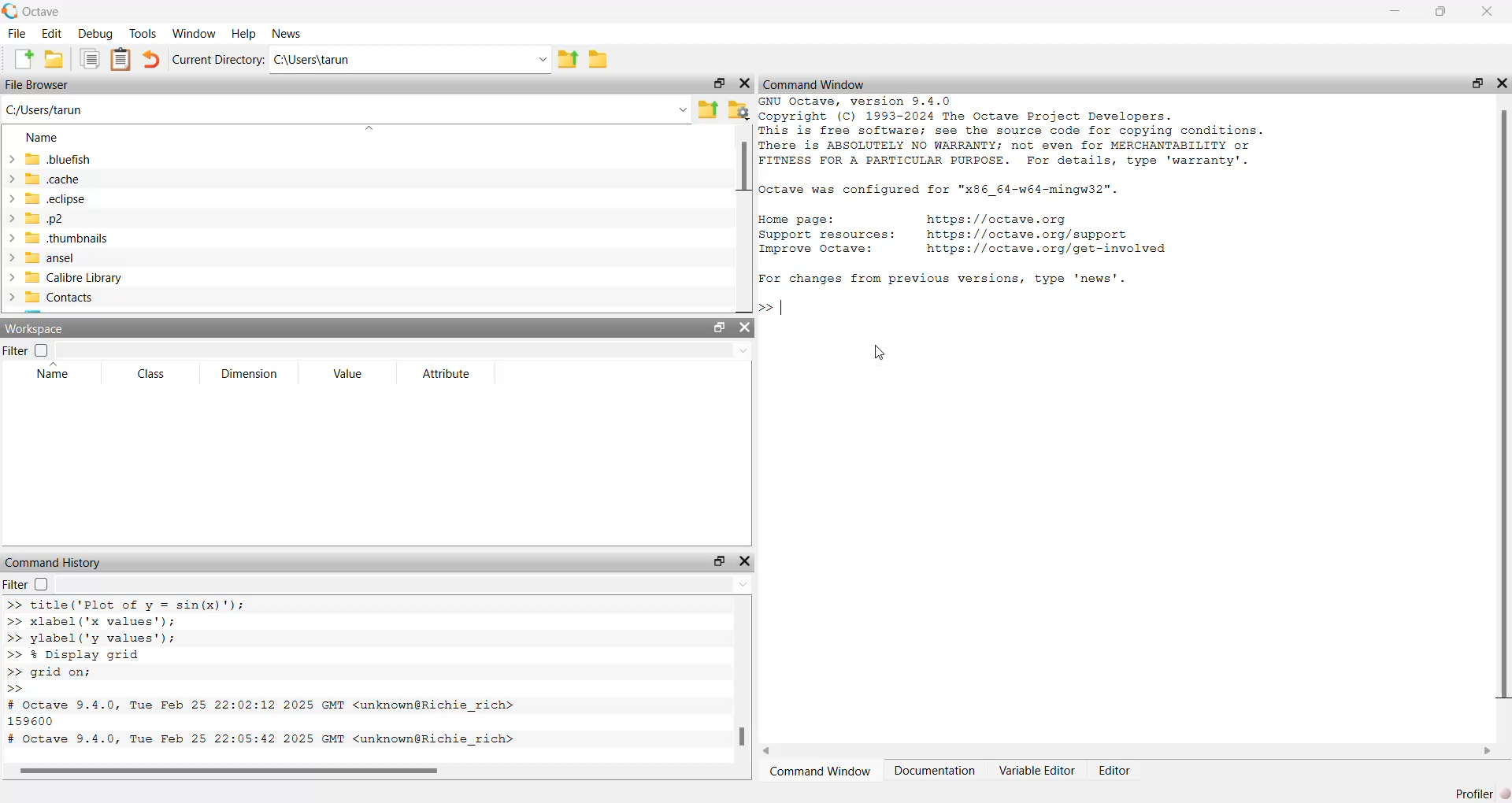 Image resolution: width=1512 pixels, height=803 pixels. What do you see at coordinates (54, 59) in the screenshot?
I see `folder` at bounding box center [54, 59].